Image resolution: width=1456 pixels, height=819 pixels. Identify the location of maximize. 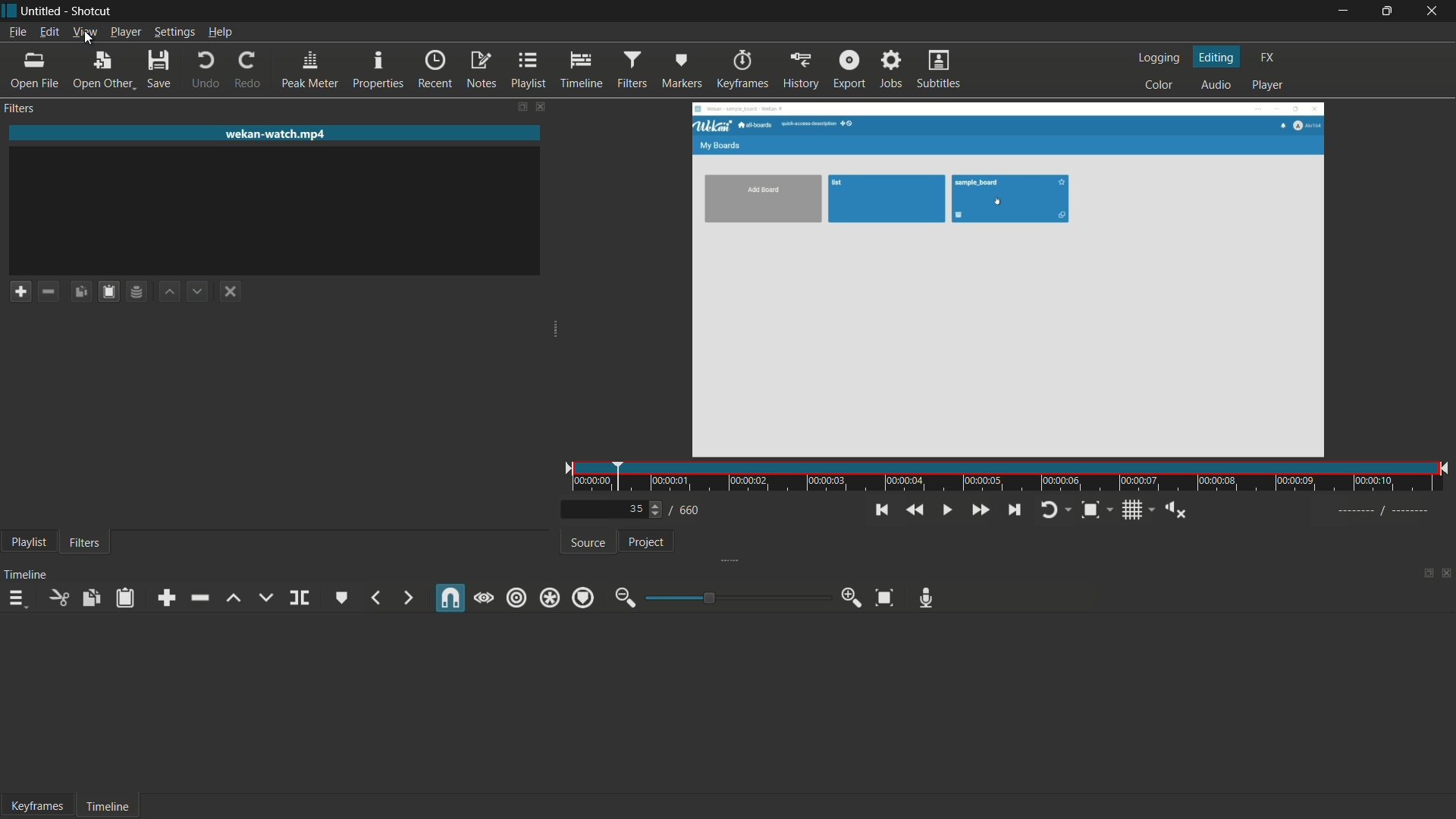
(1389, 11).